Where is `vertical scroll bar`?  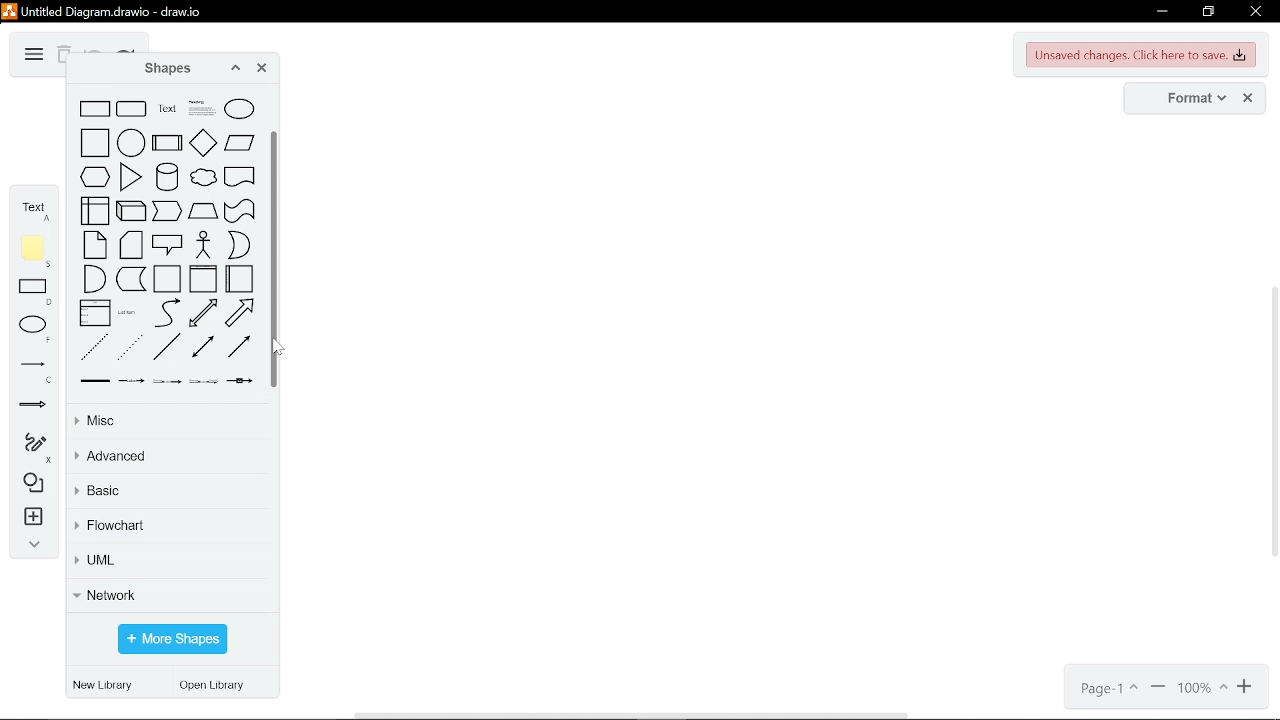 vertical scroll bar is located at coordinates (1272, 424).